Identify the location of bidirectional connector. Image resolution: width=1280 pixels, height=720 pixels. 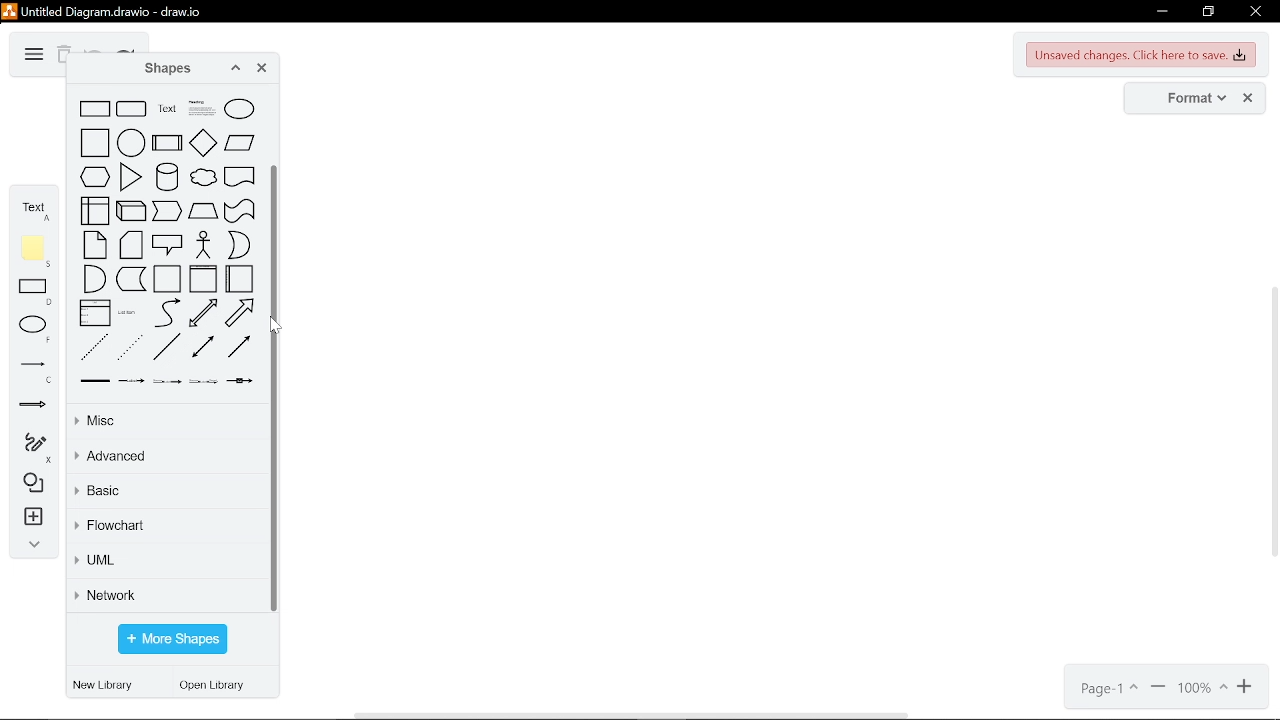
(203, 346).